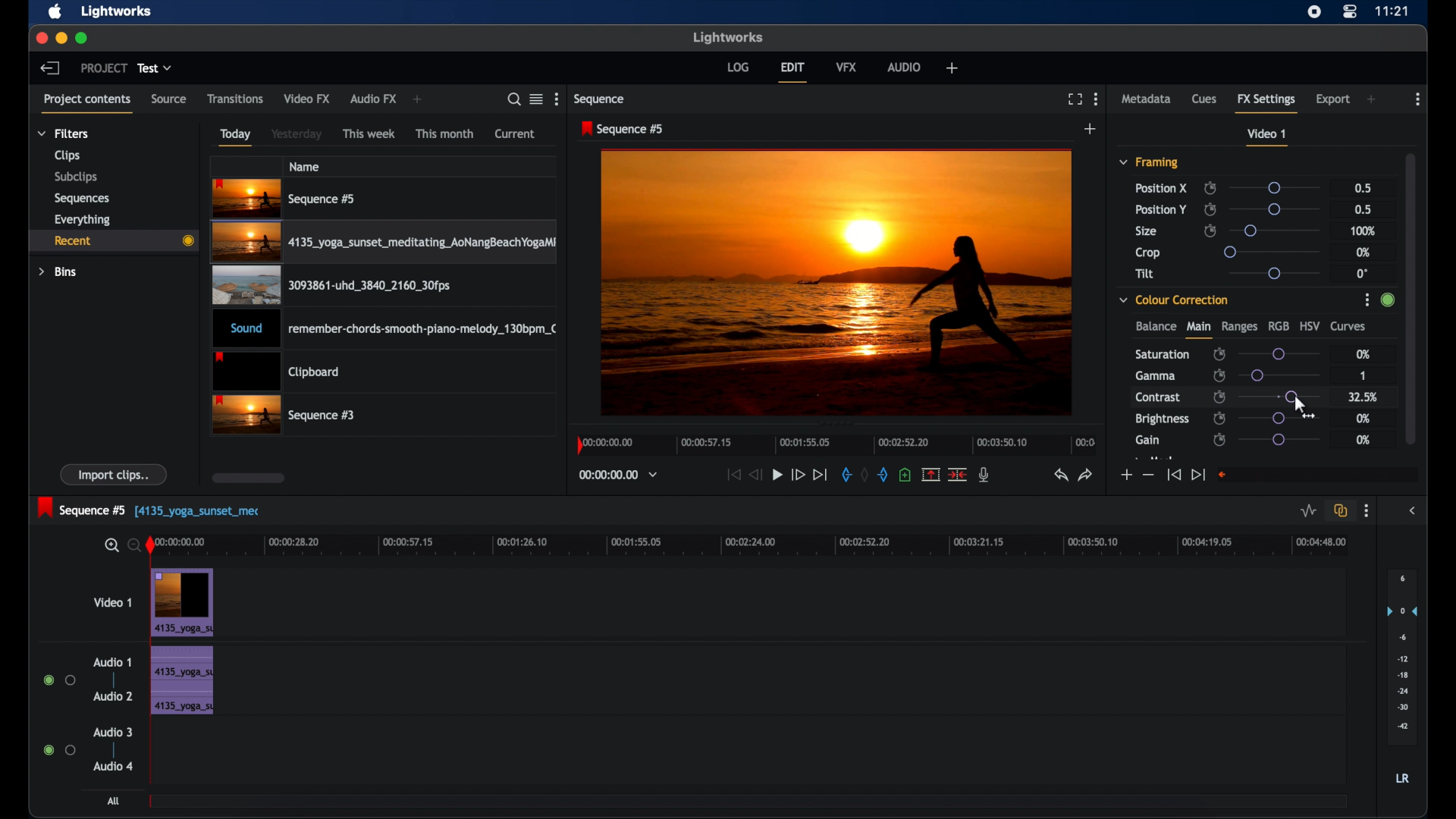 This screenshot has height=819, width=1456. I want to click on main, so click(1198, 330).